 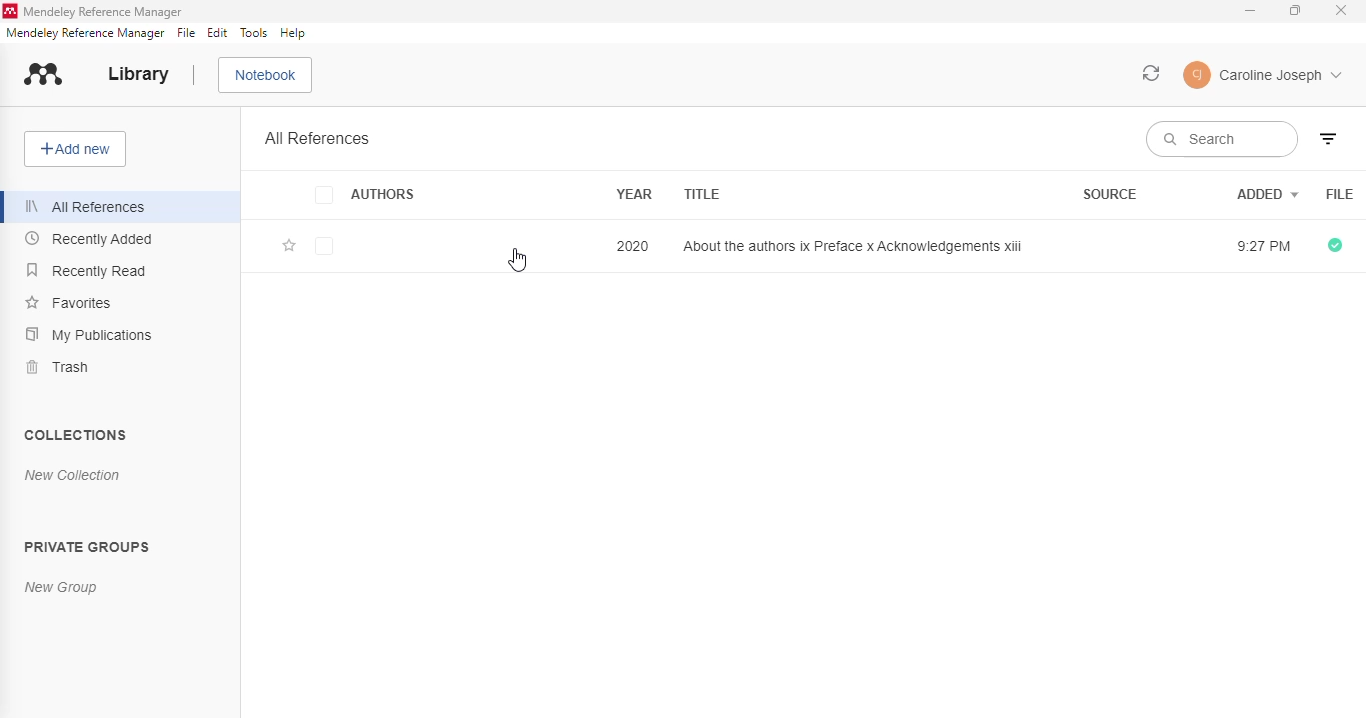 I want to click on library, so click(x=138, y=74).